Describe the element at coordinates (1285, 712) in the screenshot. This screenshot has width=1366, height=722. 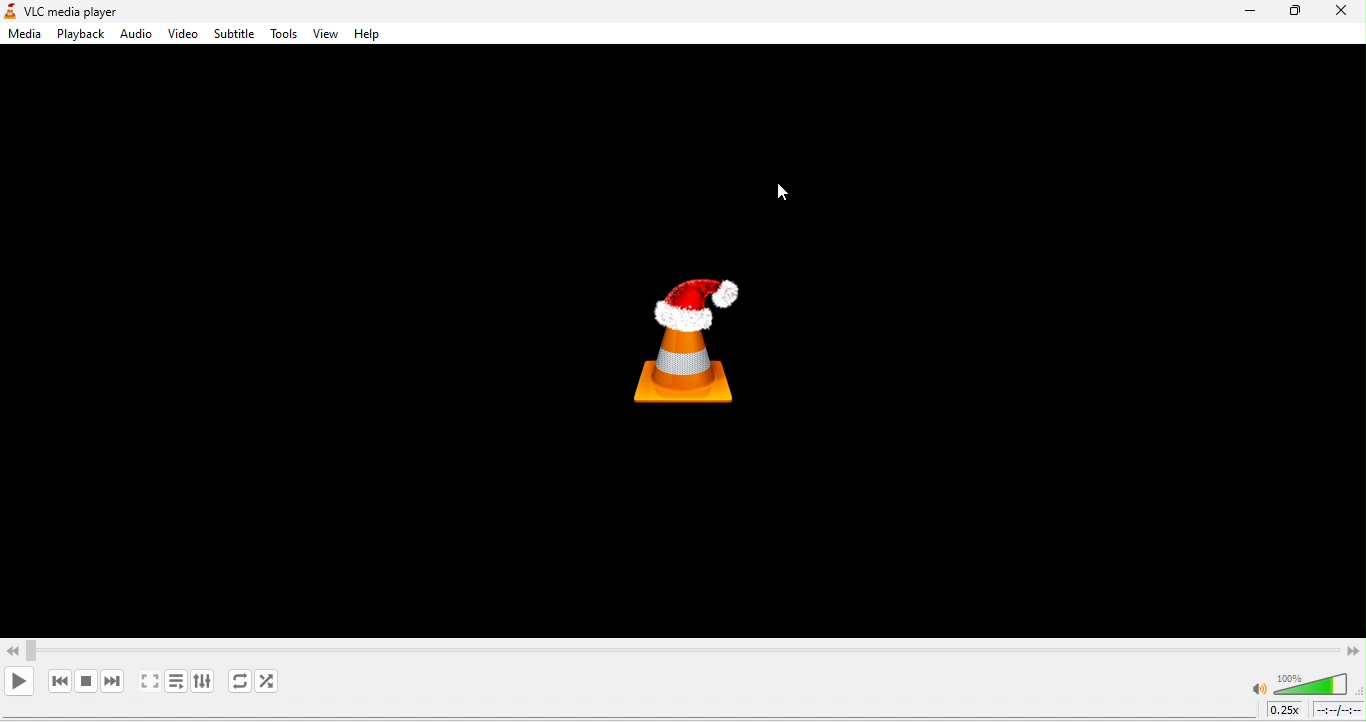
I see `playback speed` at that location.